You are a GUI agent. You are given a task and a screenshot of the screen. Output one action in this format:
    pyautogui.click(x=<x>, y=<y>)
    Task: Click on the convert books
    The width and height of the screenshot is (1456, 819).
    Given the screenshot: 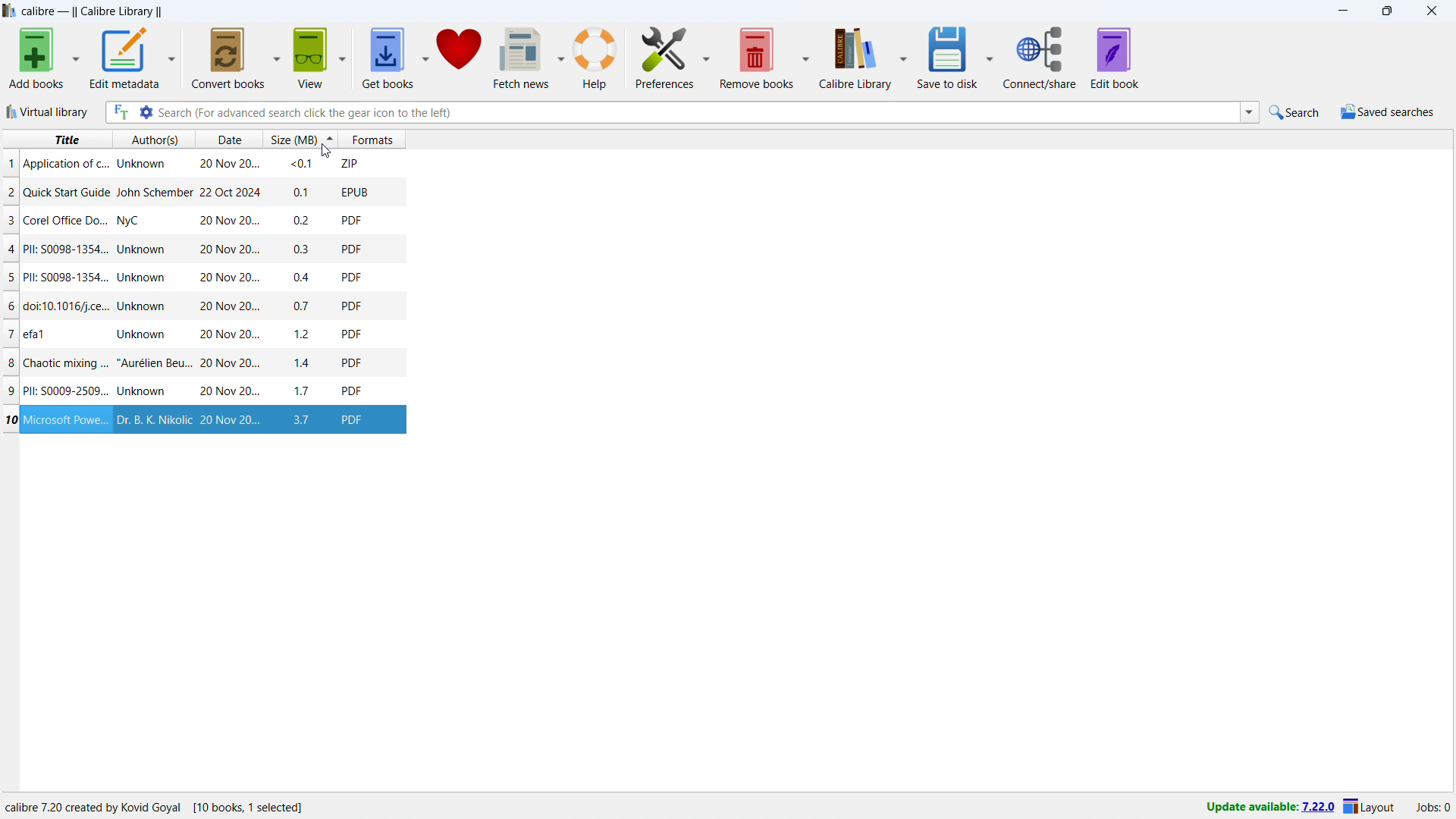 What is the action you would take?
    pyautogui.click(x=228, y=58)
    